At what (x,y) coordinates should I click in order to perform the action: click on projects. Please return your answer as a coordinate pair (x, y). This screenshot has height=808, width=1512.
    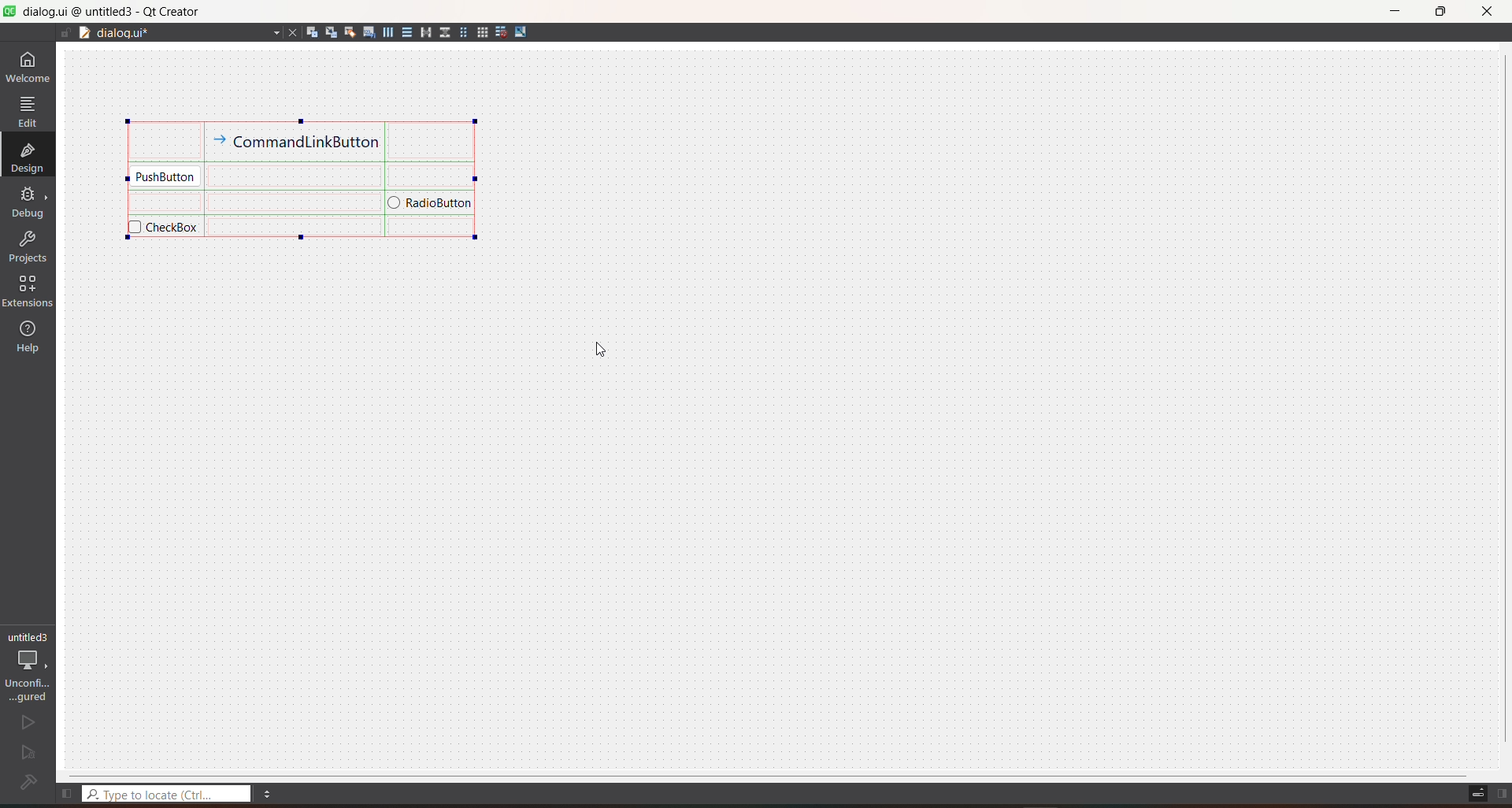
    Looking at the image, I should click on (28, 246).